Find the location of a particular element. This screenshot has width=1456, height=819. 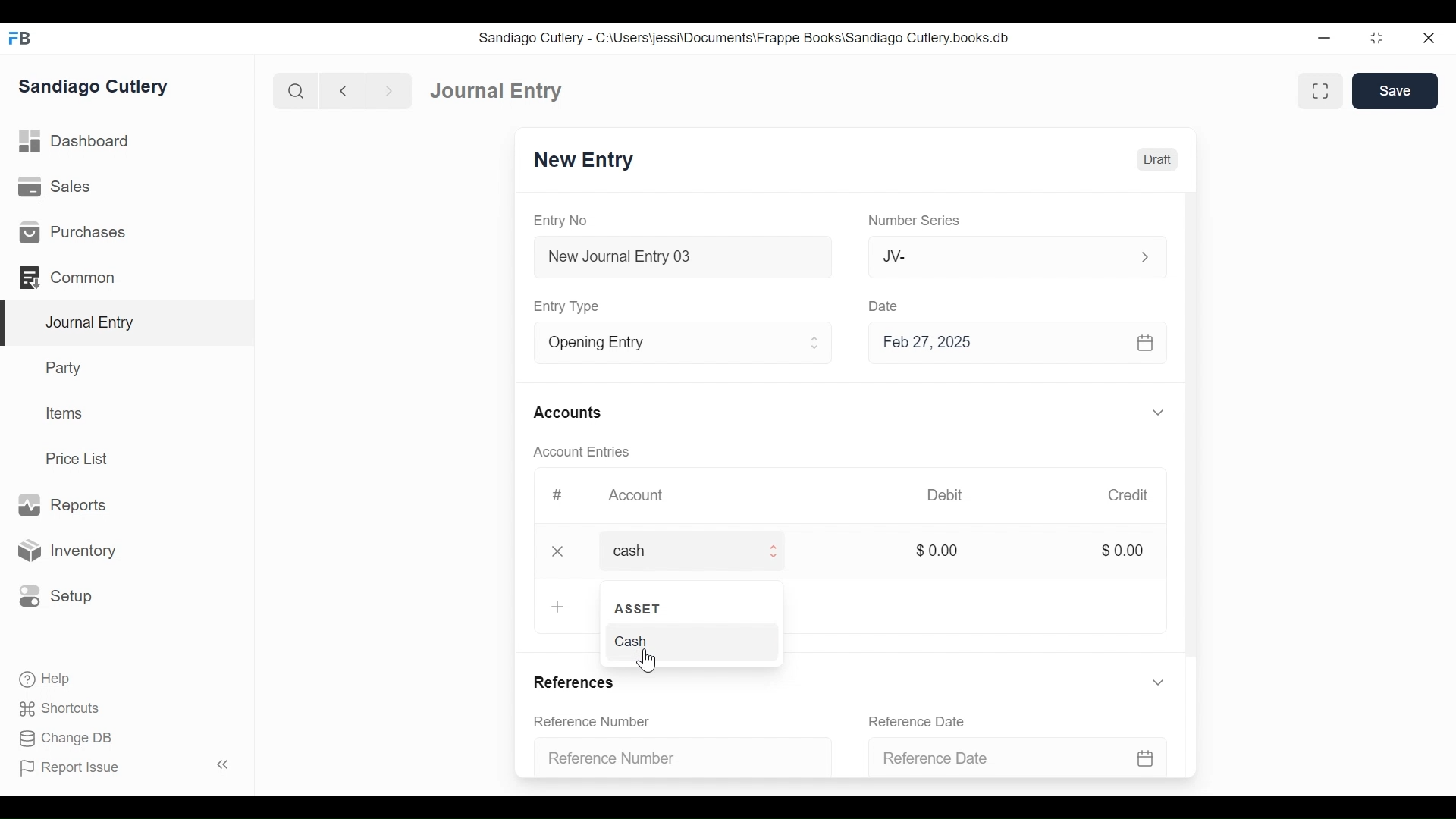

Expand is located at coordinates (816, 344).